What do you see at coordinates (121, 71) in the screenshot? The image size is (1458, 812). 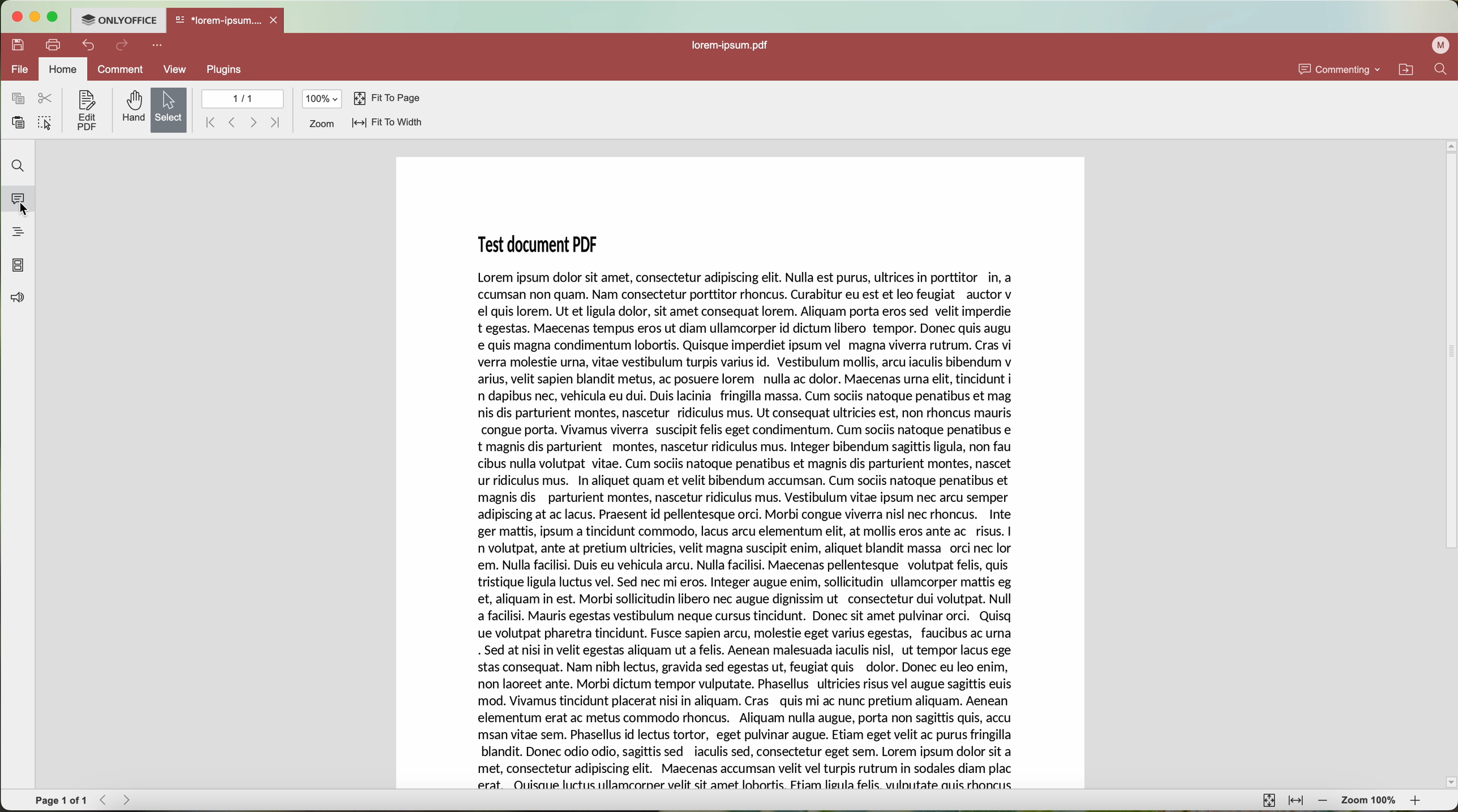 I see `comment` at bounding box center [121, 71].